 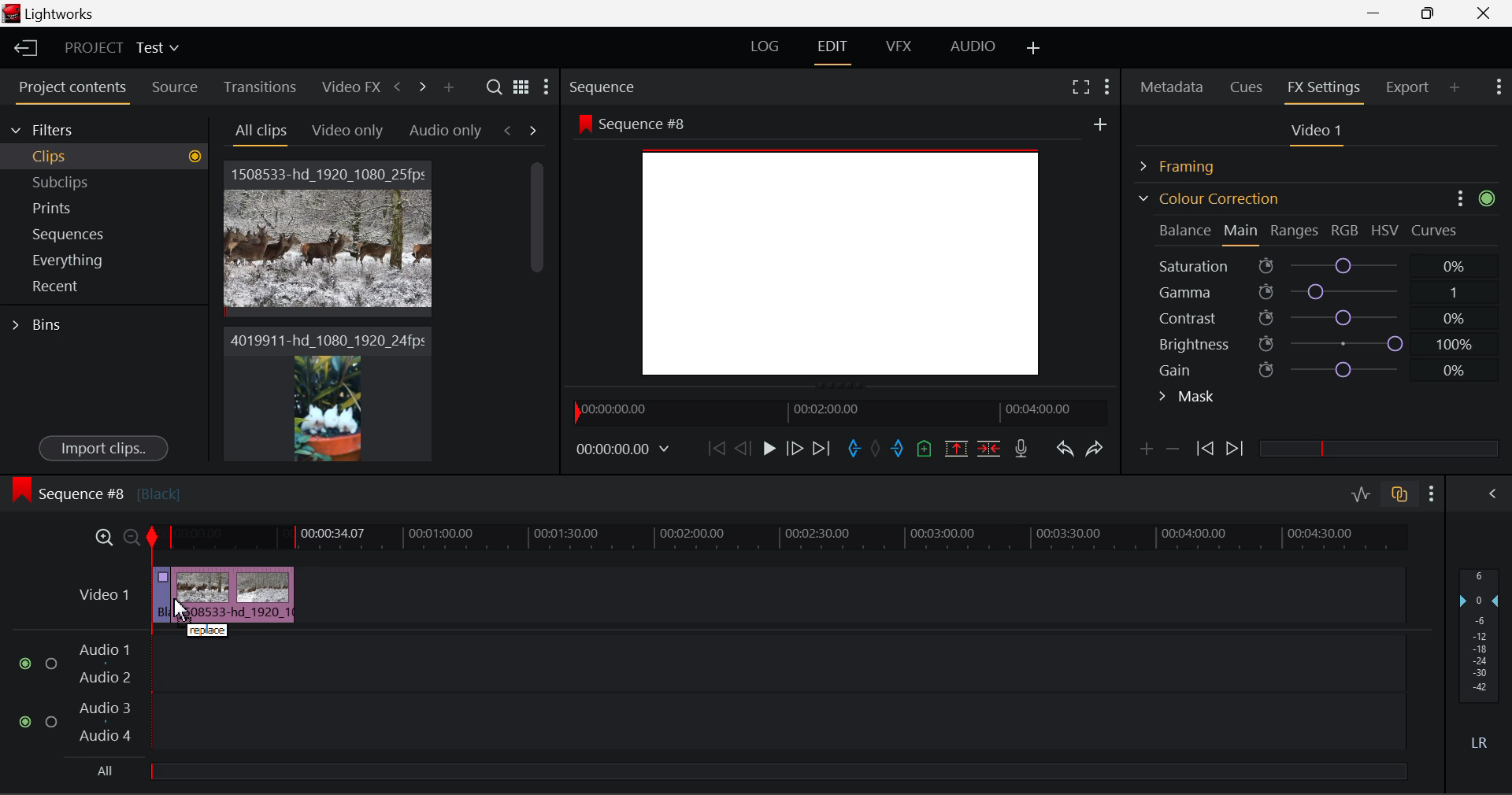 What do you see at coordinates (855, 449) in the screenshot?
I see `Mark In` at bounding box center [855, 449].